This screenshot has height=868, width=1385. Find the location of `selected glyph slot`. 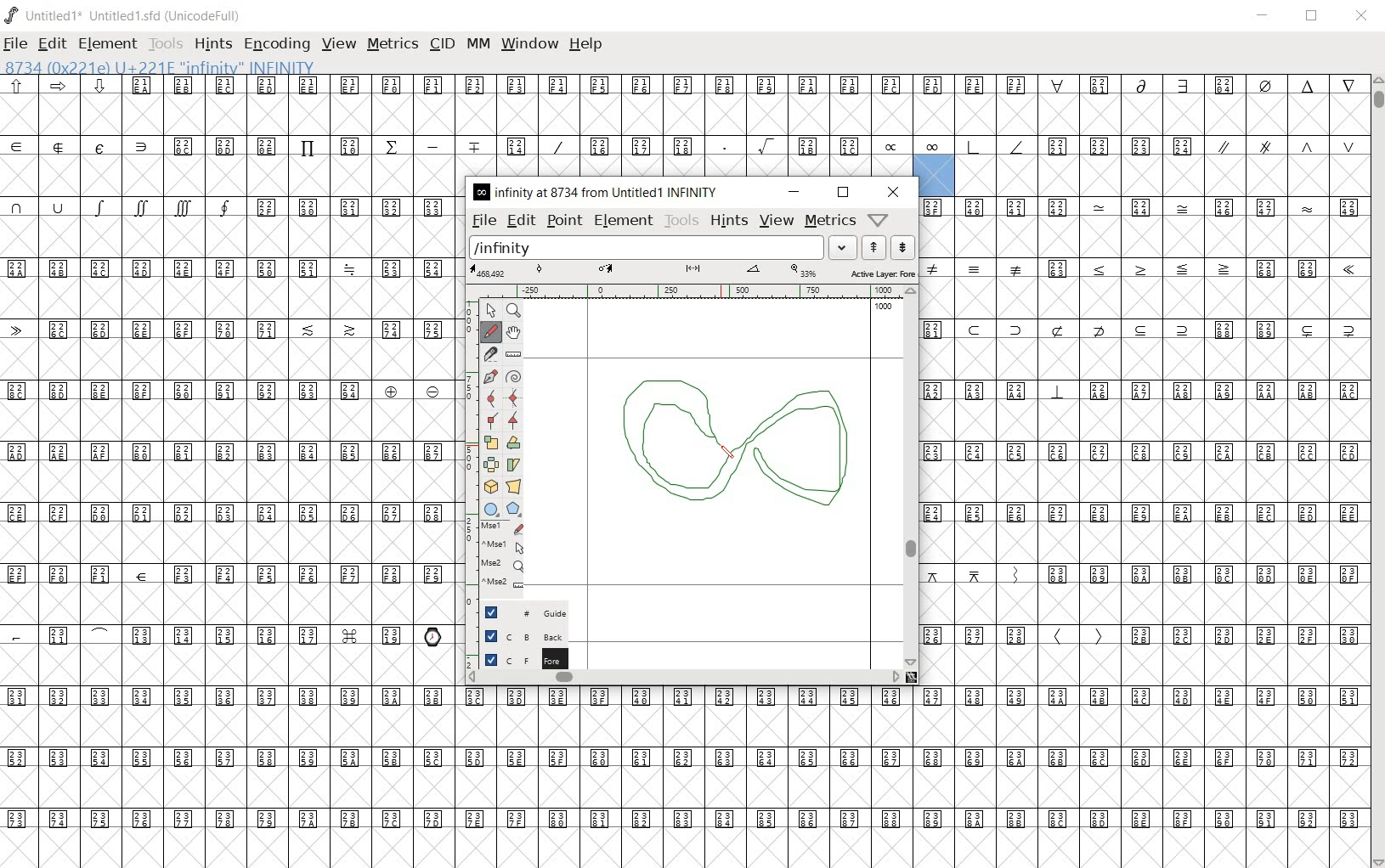

selected glyph slot is located at coordinates (935, 175).